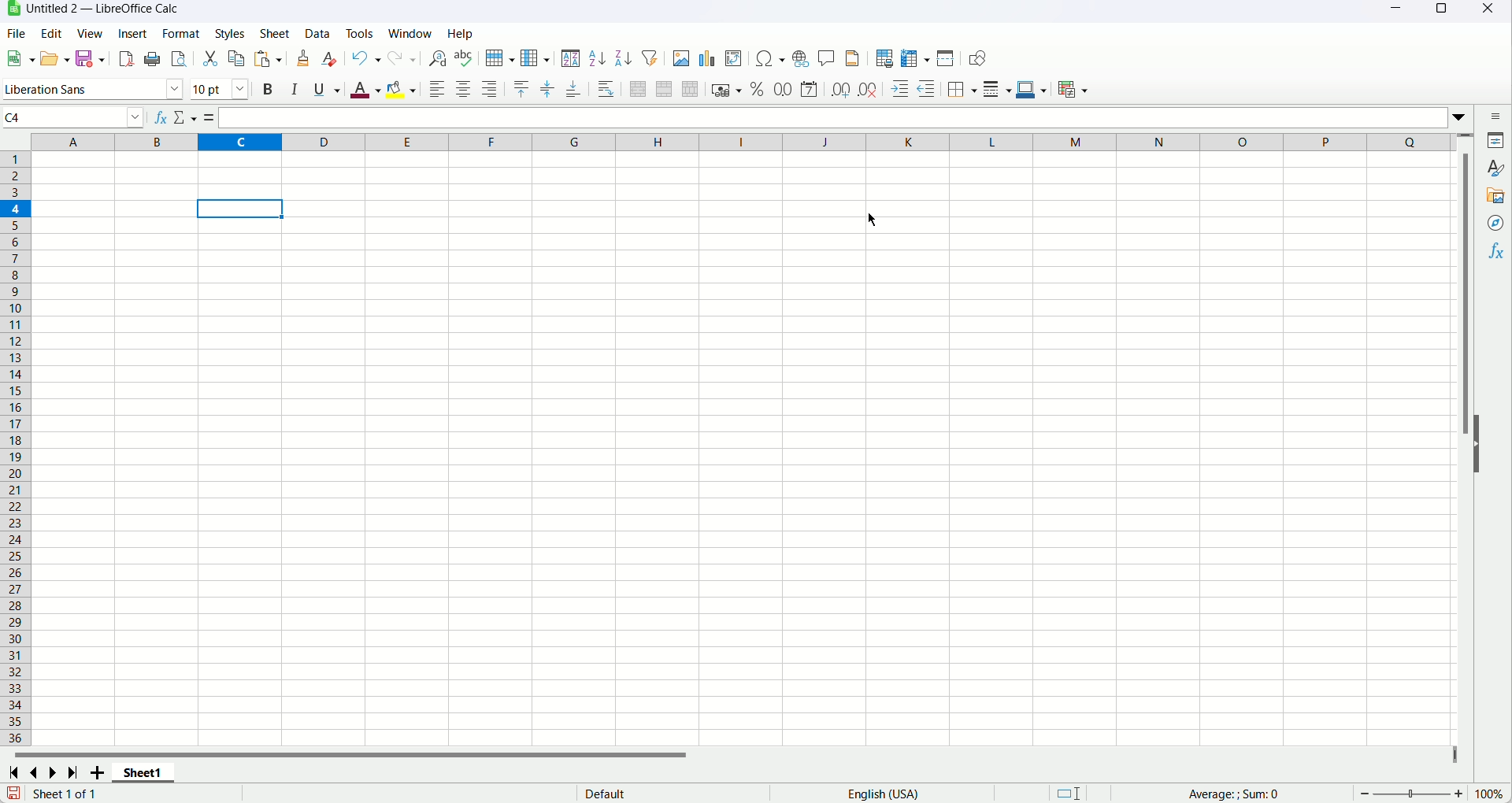 The height and width of the screenshot is (803, 1512). Describe the element at coordinates (1495, 168) in the screenshot. I see `Styles` at that location.